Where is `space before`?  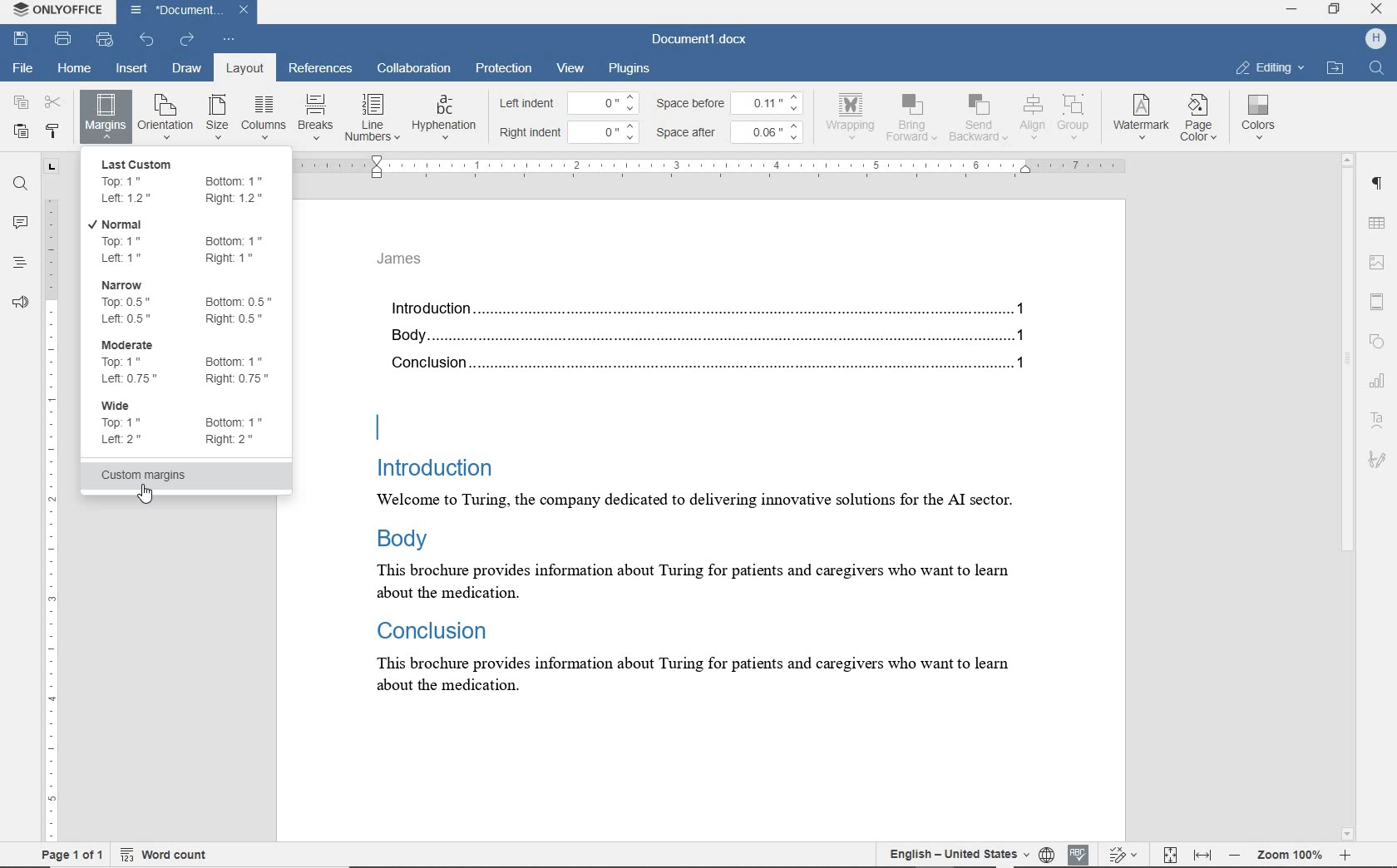
space before is located at coordinates (692, 103).